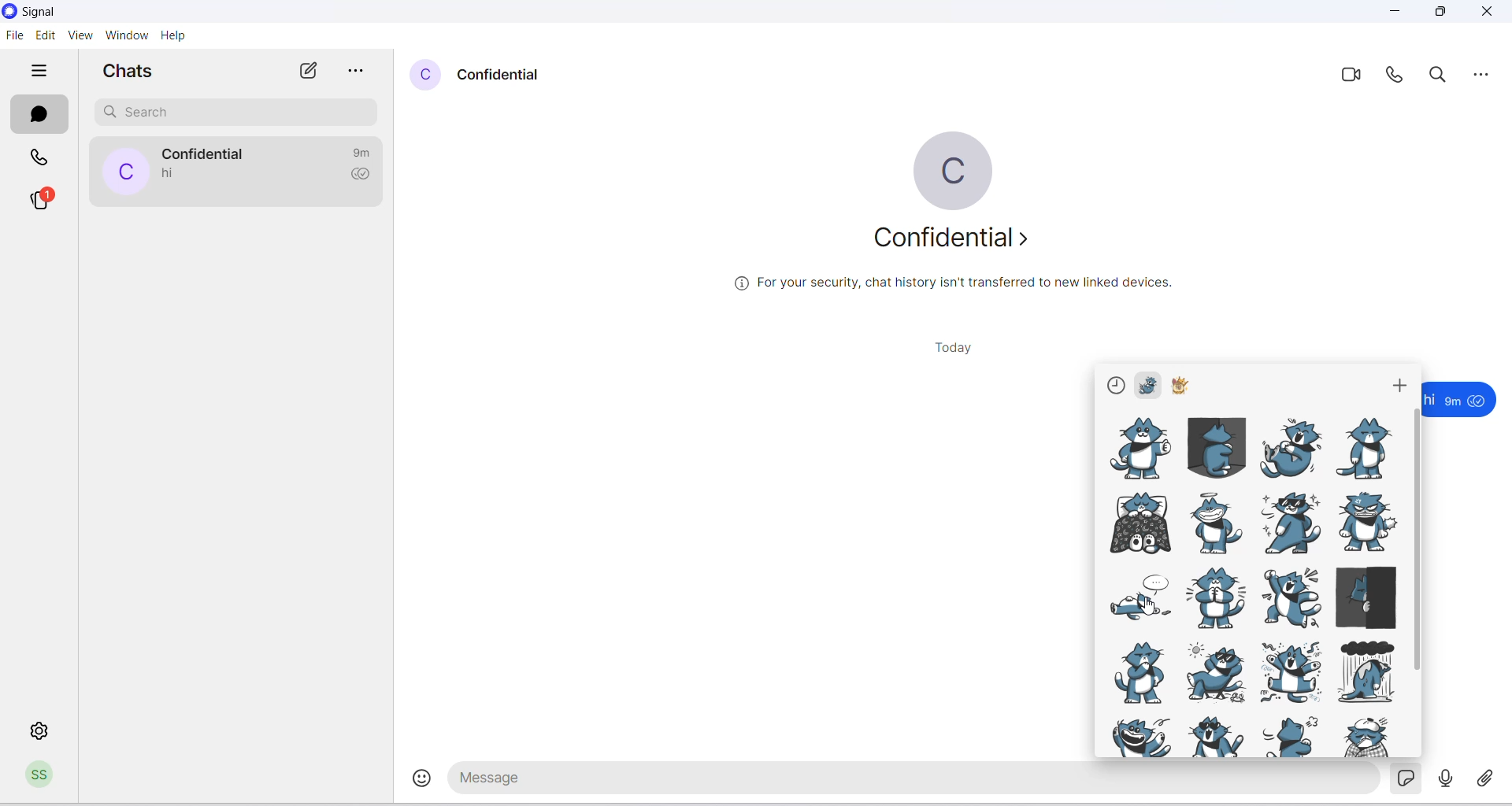  Describe the element at coordinates (43, 777) in the screenshot. I see `profile` at that location.